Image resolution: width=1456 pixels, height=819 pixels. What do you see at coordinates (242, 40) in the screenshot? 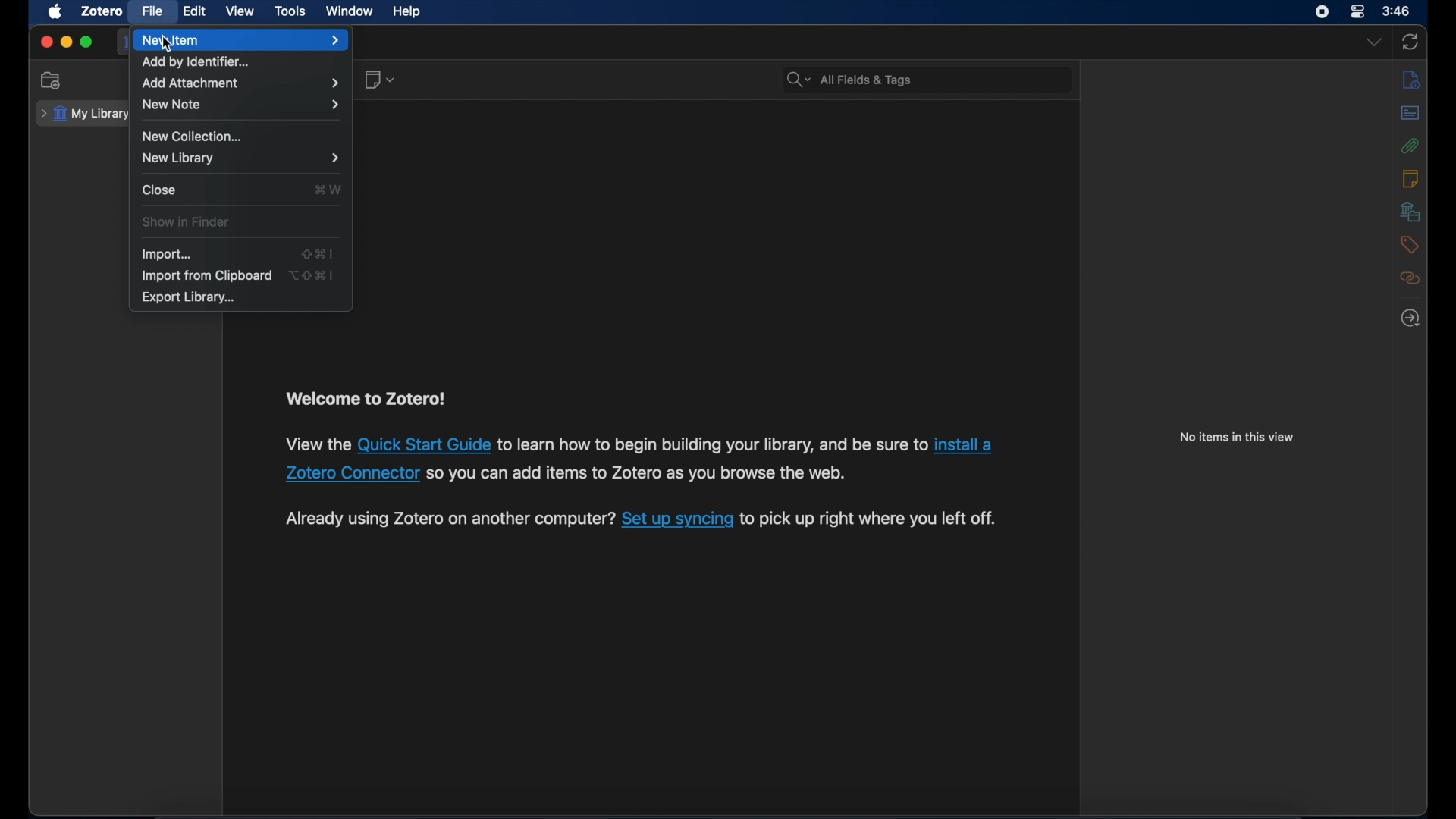
I see `new item` at bounding box center [242, 40].